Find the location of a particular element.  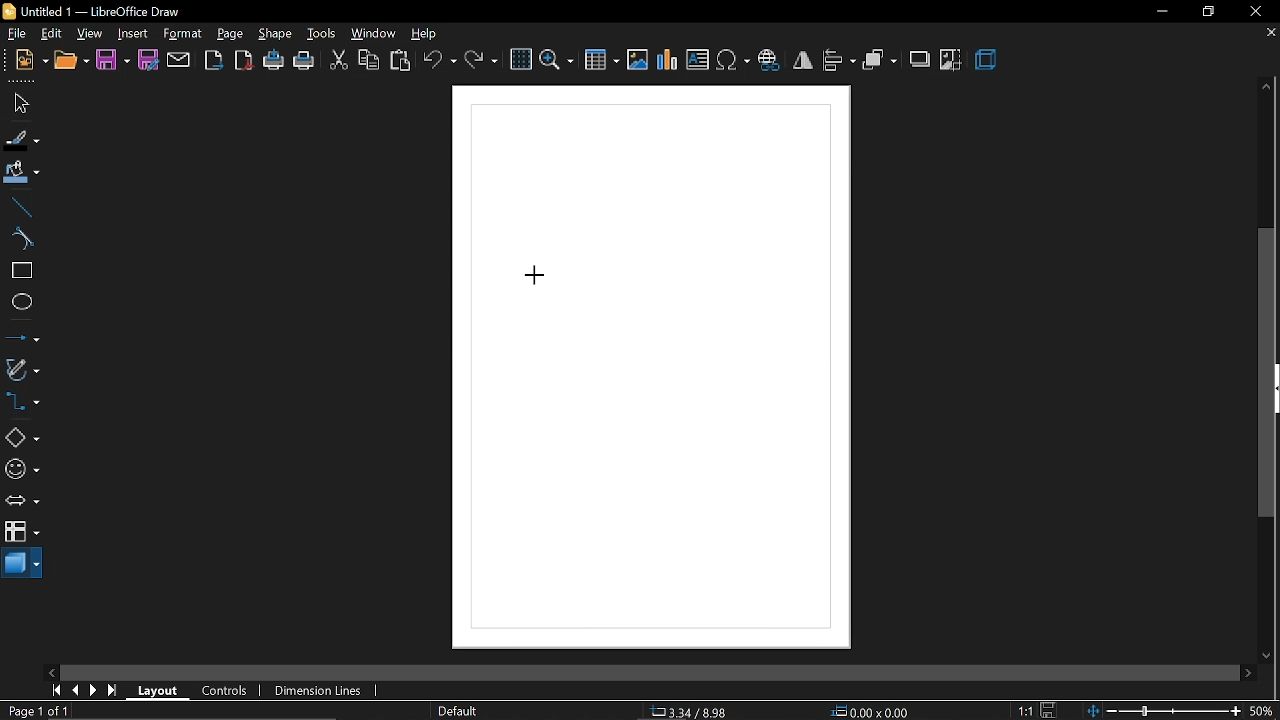

select is located at coordinates (17, 102).